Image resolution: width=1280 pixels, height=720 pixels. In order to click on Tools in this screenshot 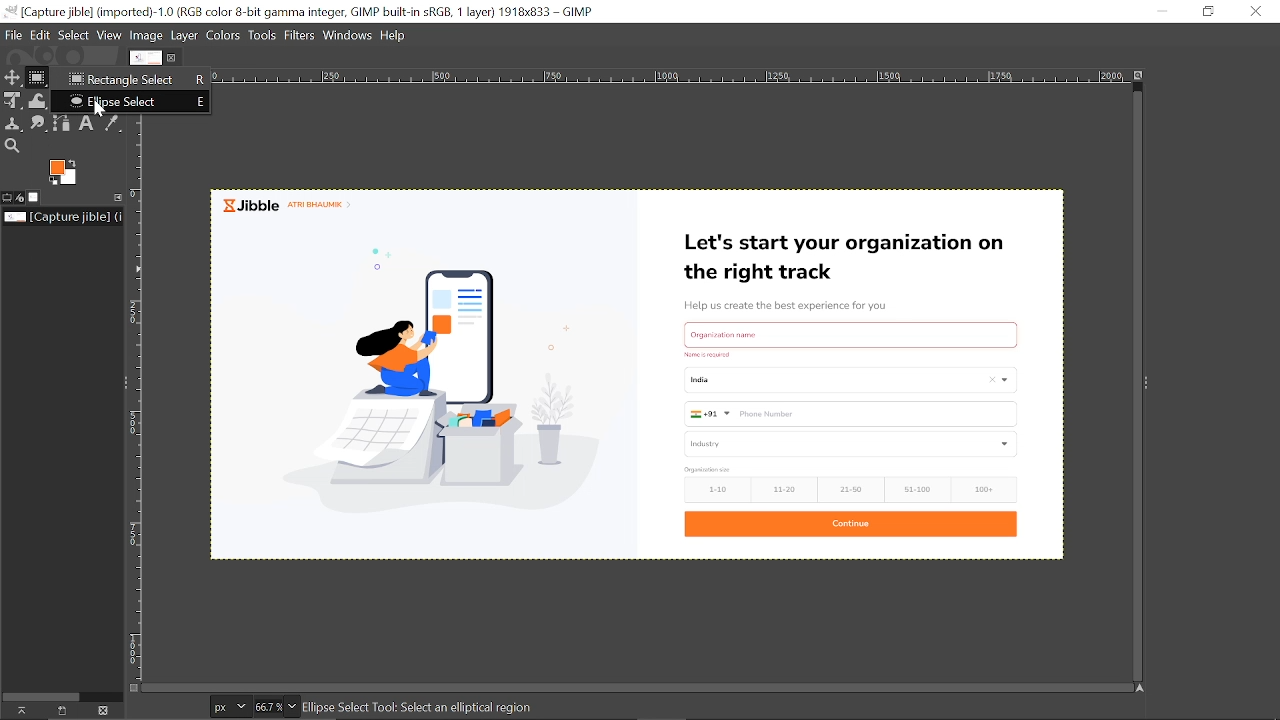, I will do `click(264, 35)`.